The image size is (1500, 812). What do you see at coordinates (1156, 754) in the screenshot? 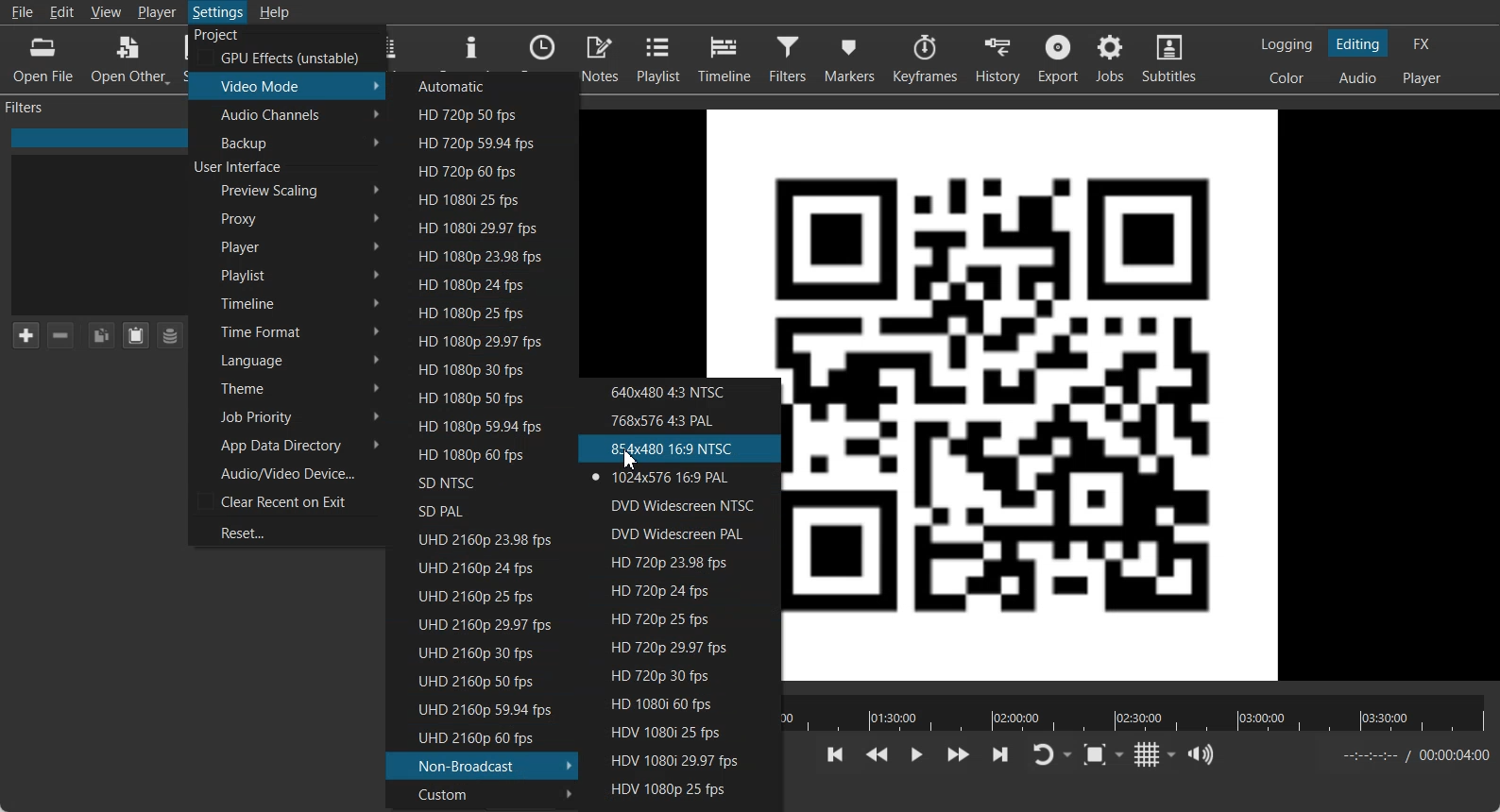
I see `Toggle grid display` at bounding box center [1156, 754].